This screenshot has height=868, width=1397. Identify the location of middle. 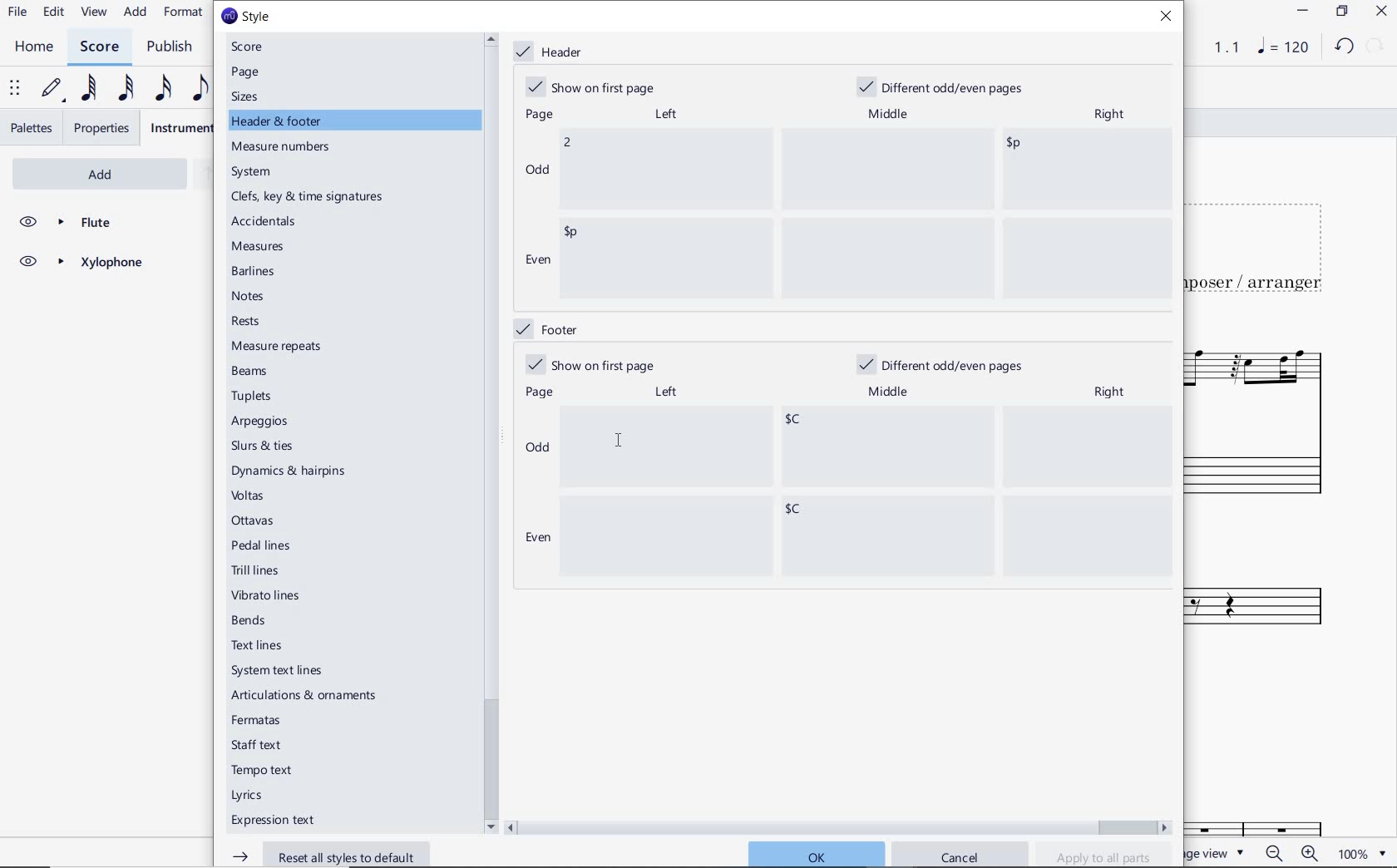
(890, 111).